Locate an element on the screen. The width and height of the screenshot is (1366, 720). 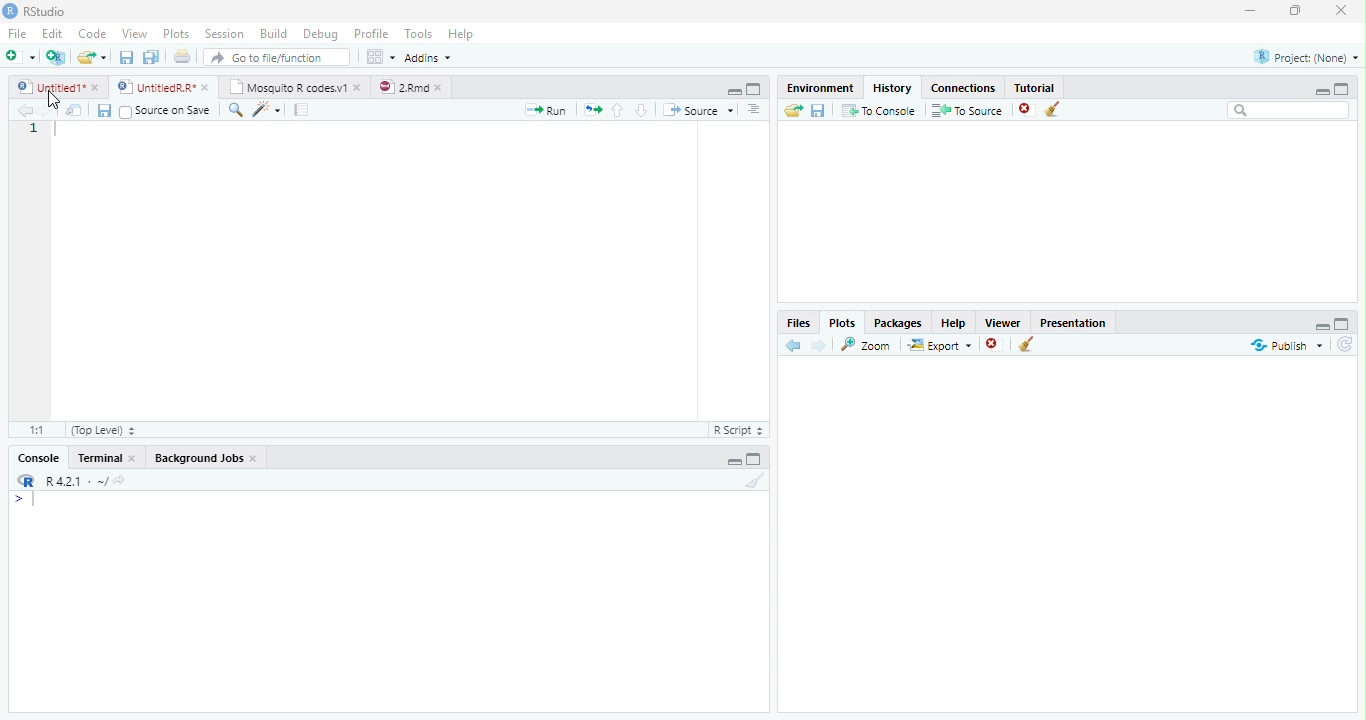
© UntitedRR* * is located at coordinates (165, 87).